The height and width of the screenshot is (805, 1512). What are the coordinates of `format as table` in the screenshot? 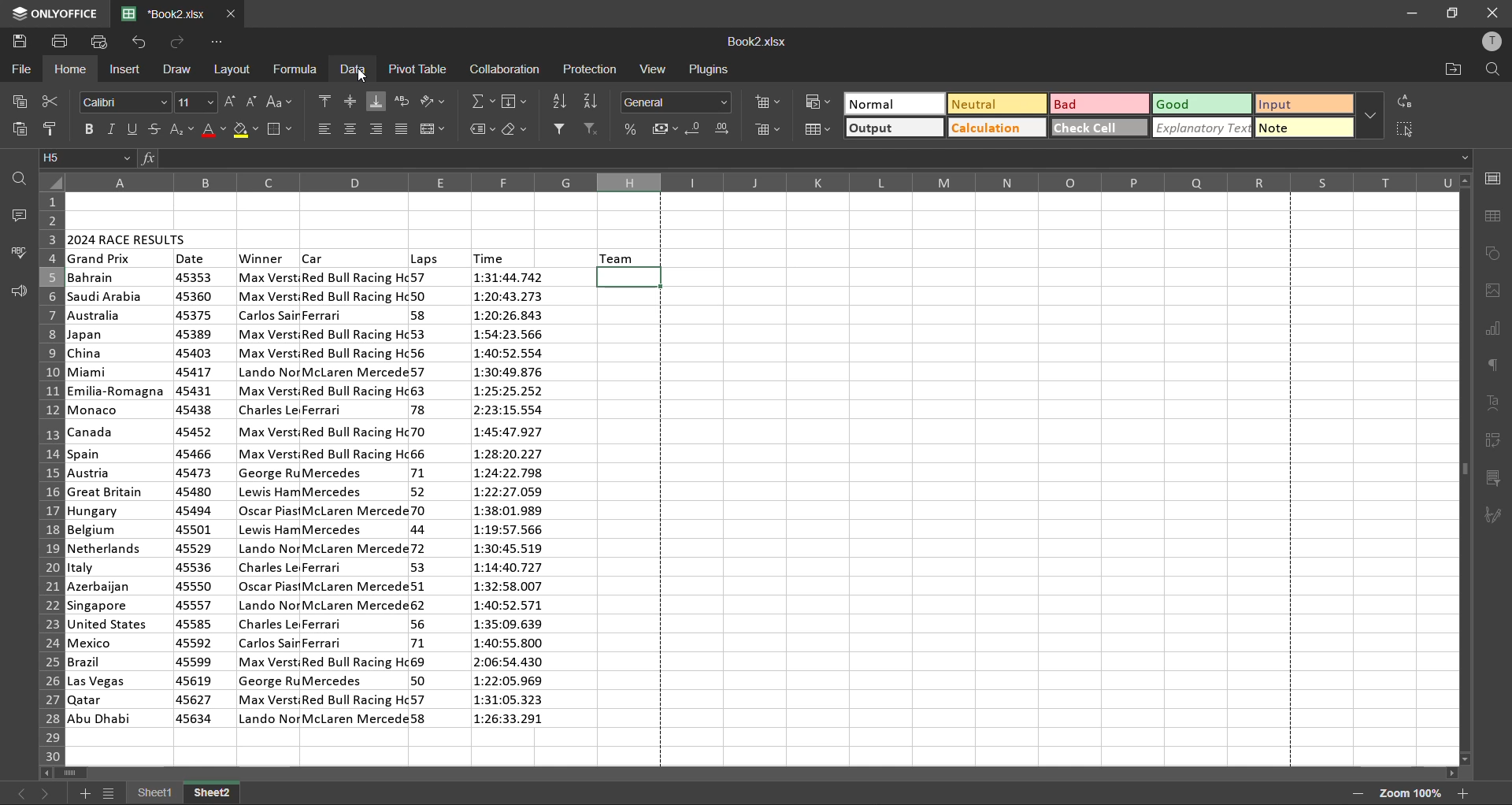 It's located at (821, 131).